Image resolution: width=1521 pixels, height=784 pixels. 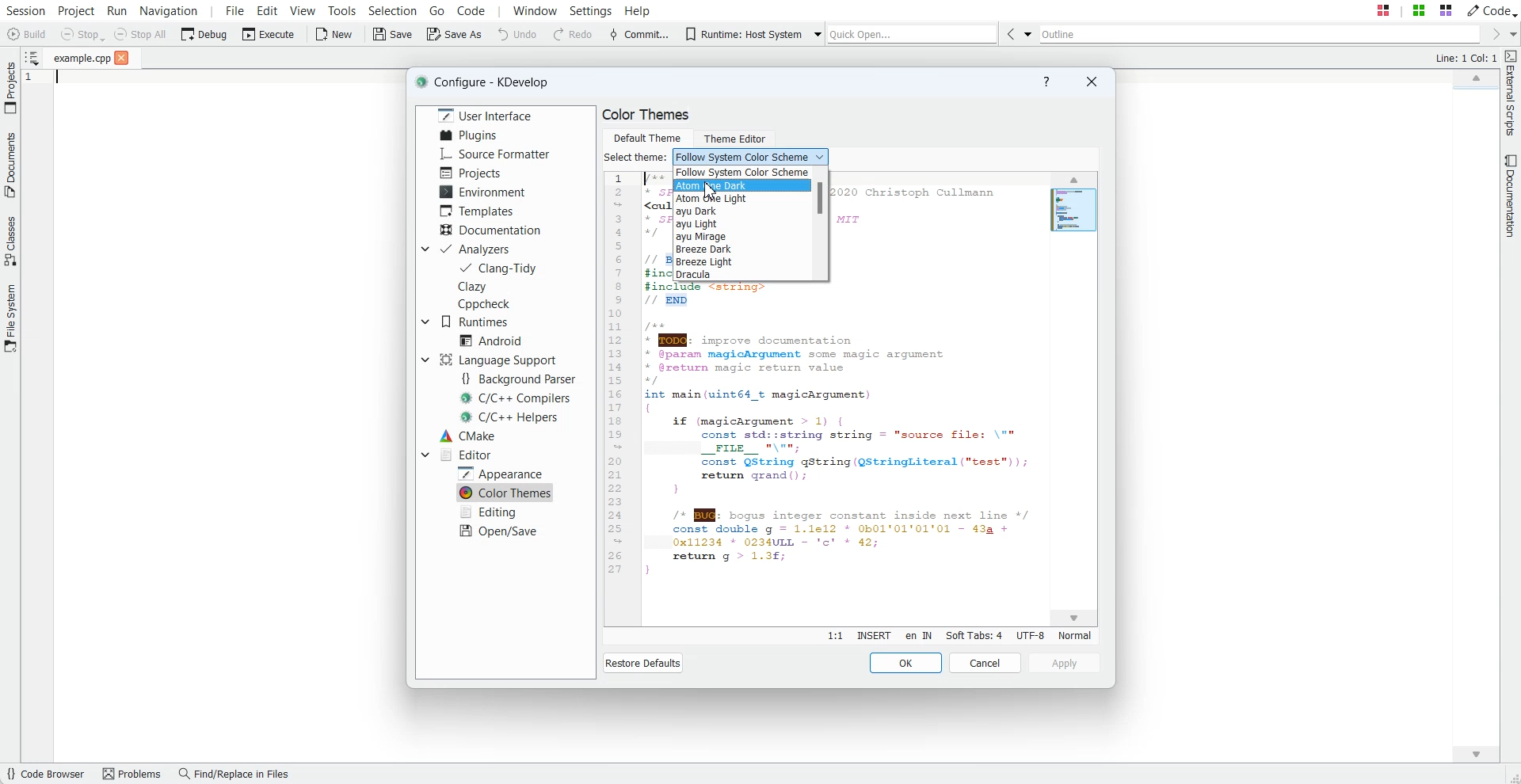 What do you see at coordinates (393, 35) in the screenshot?
I see `Save` at bounding box center [393, 35].